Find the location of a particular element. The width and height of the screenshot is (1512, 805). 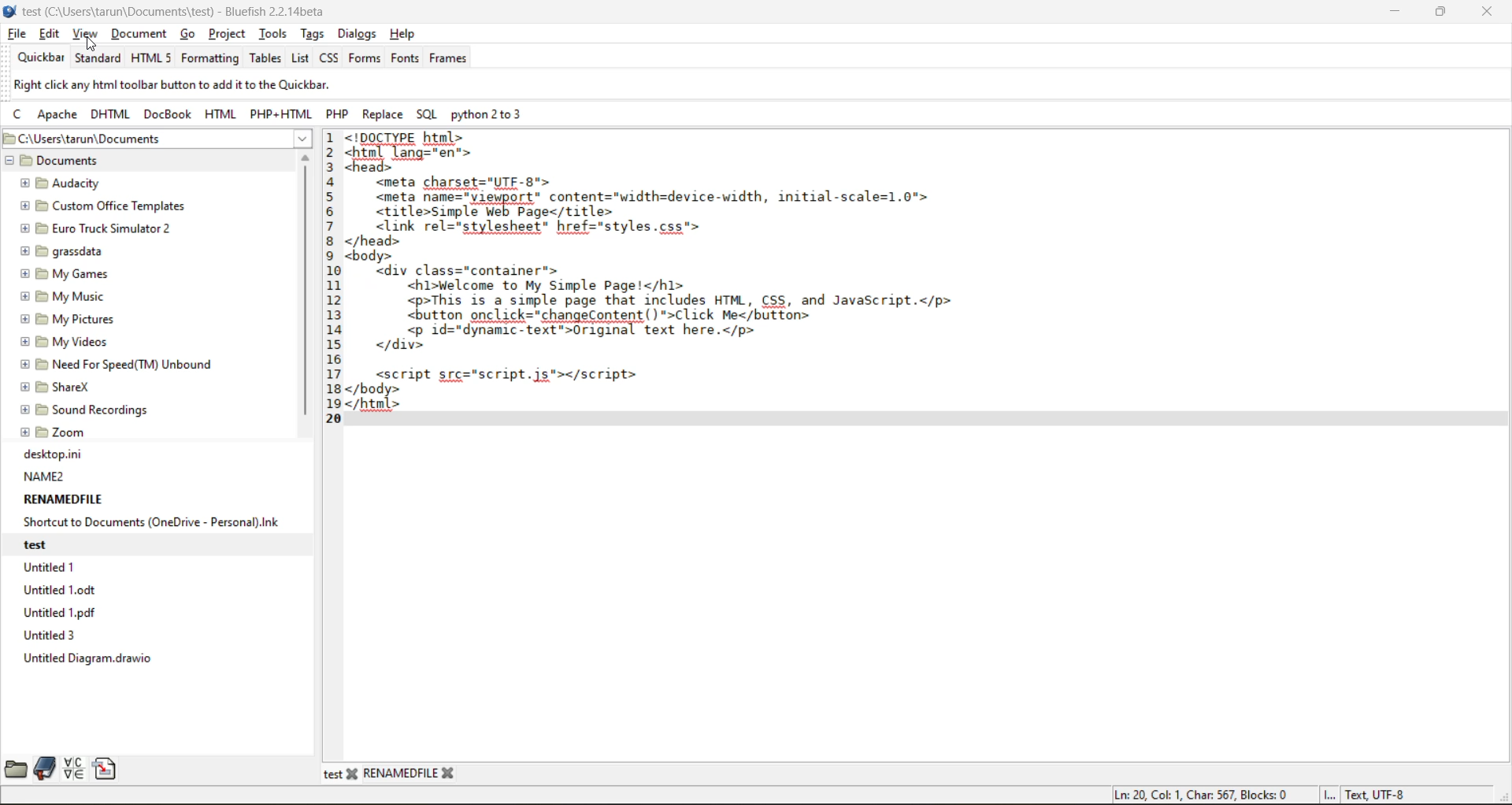

quickbar is located at coordinates (37, 58).